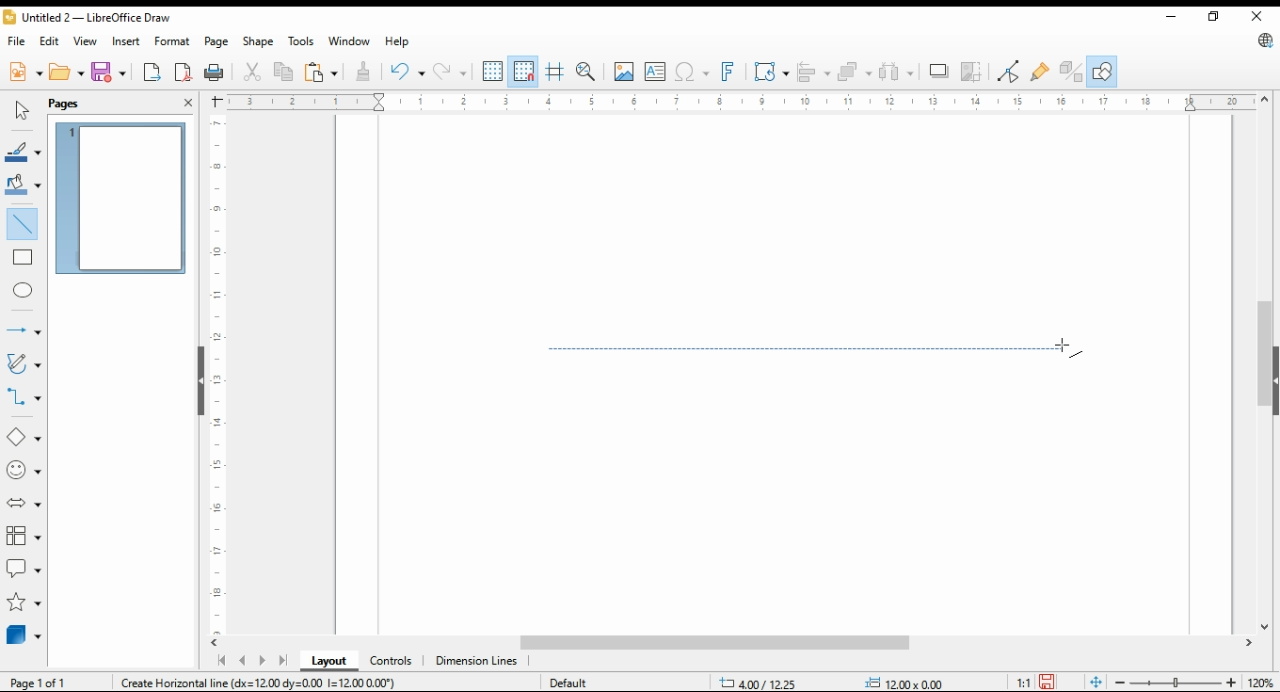 This screenshot has width=1280, height=692. I want to click on close pane, so click(189, 102).